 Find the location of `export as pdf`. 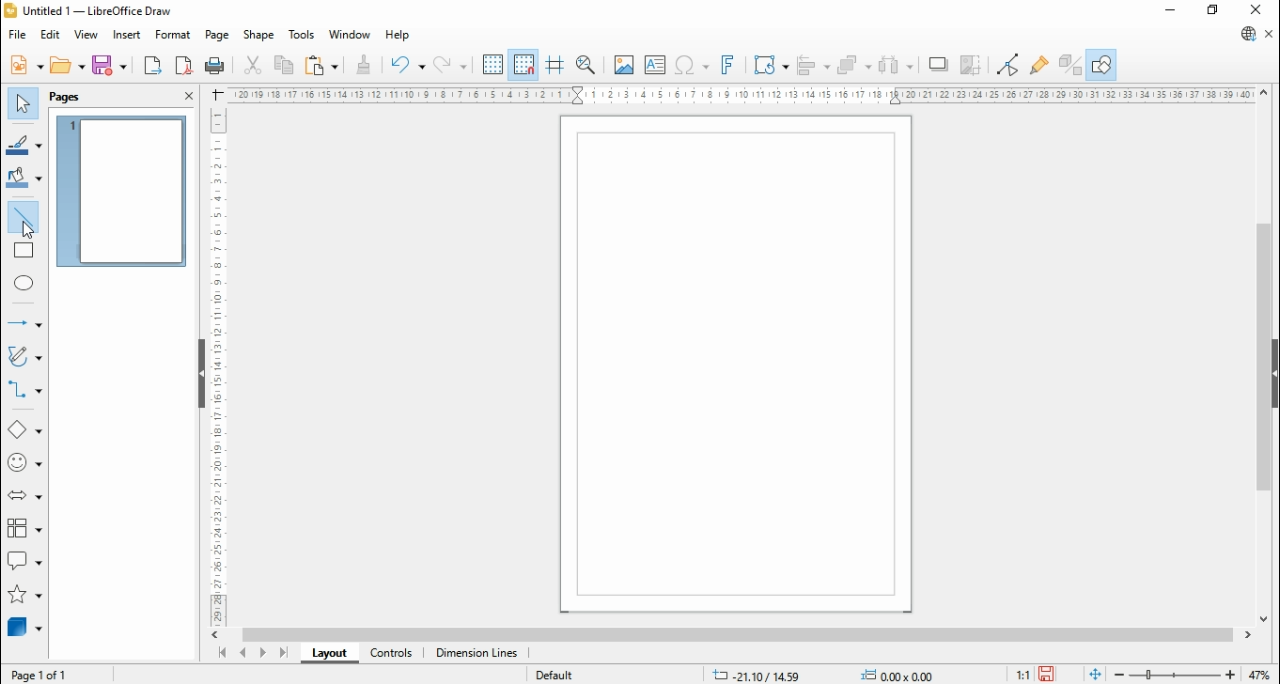

export as pdf is located at coordinates (185, 66).